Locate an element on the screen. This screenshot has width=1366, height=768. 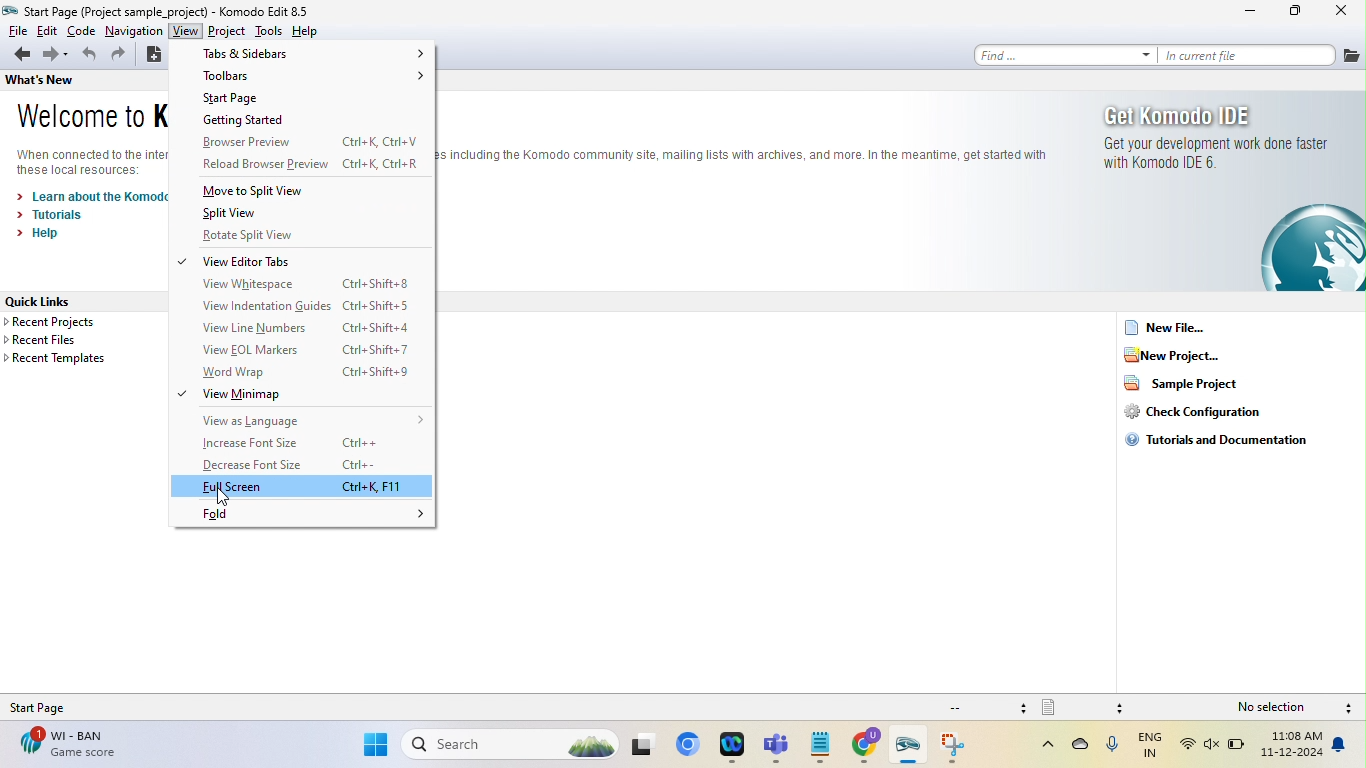
new project is located at coordinates (1198, 354).